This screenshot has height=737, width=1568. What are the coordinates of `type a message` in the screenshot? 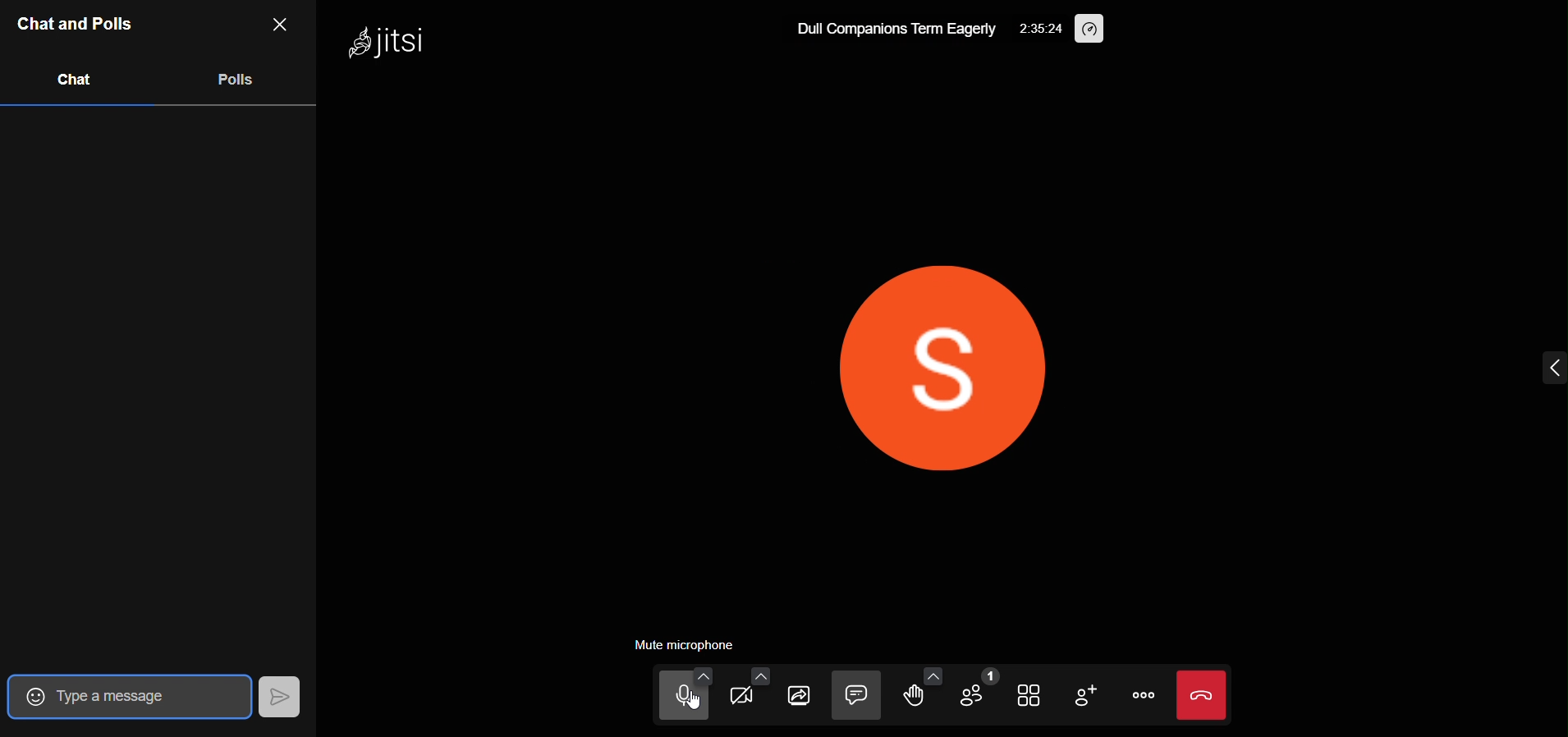 It's located at (142, 696).